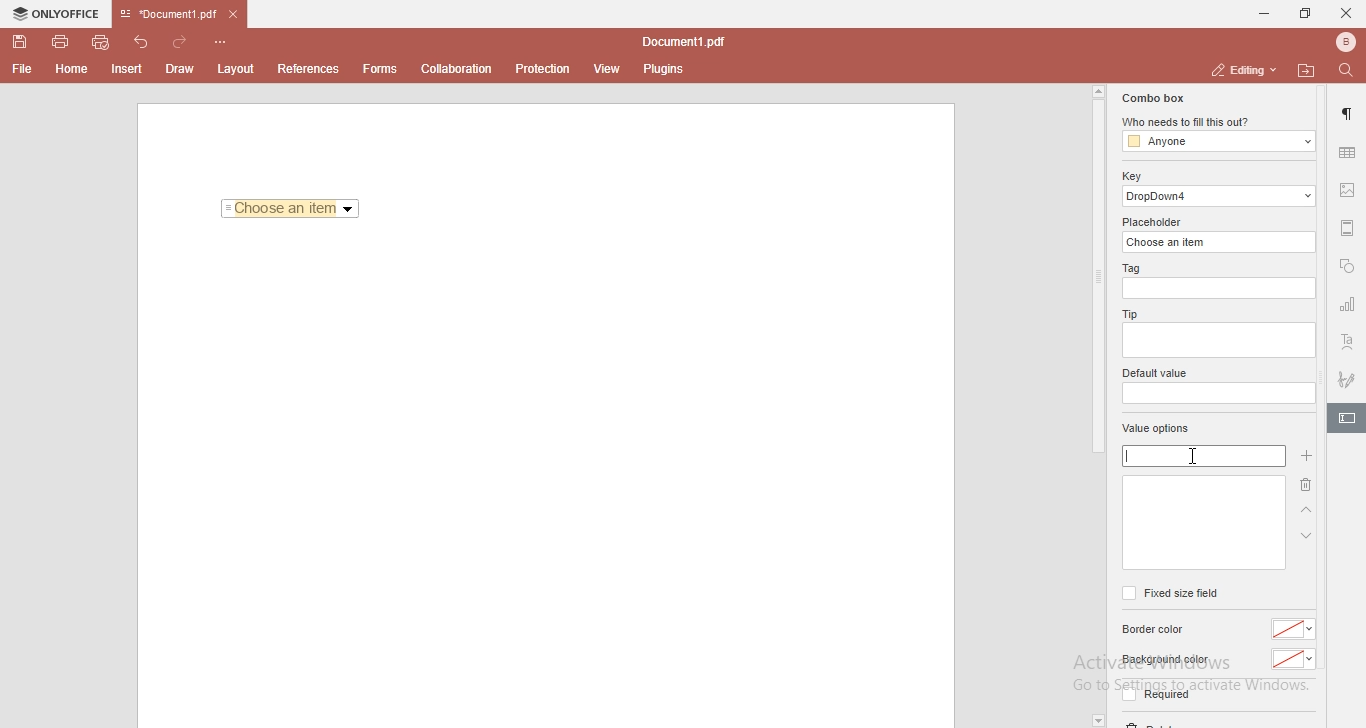 This screenshot has width=1366, height=728. I want to click on close, so click(1346, 12).